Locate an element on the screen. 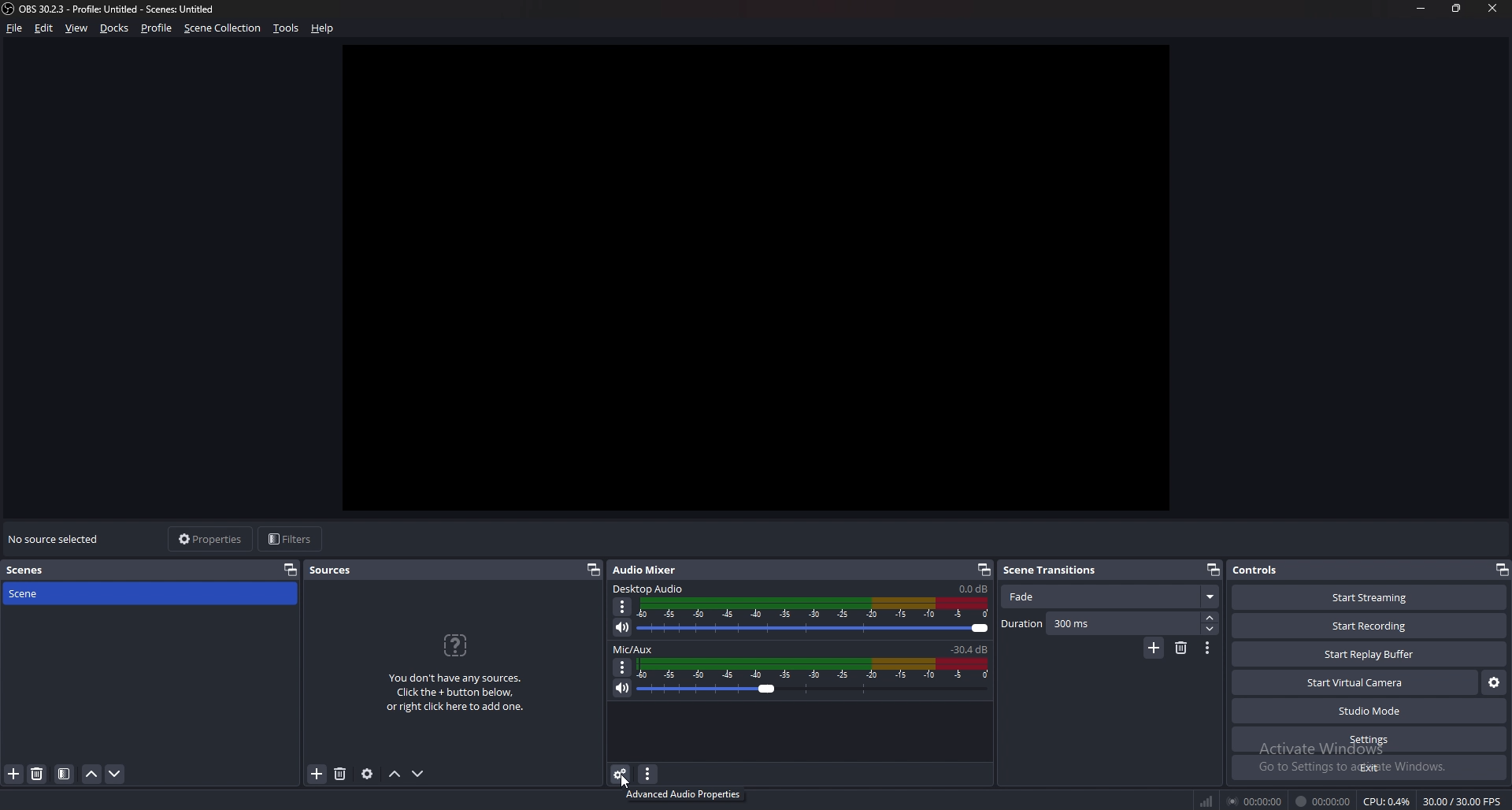 Image resolution: width=1512 pixels, height=810 pixels. move source down is located at coordinates (418, 775).